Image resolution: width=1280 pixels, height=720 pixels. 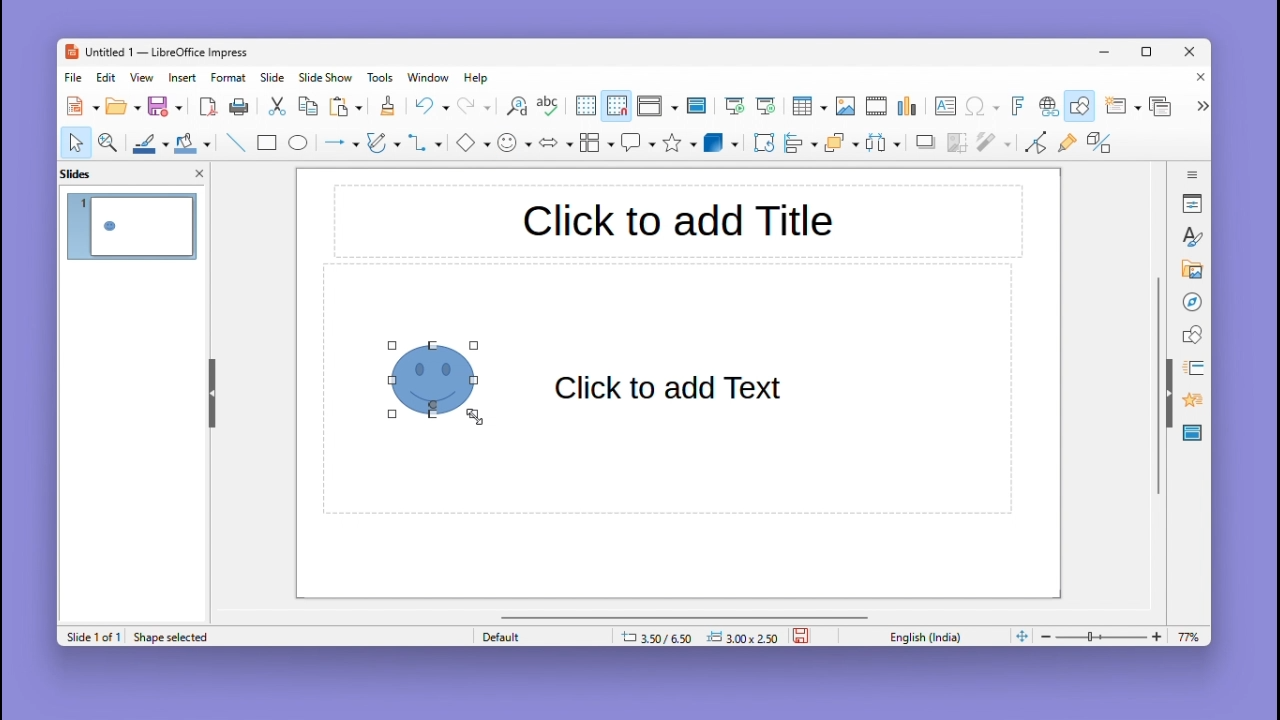 I want to click on Display views, so click(x=655, y=106).